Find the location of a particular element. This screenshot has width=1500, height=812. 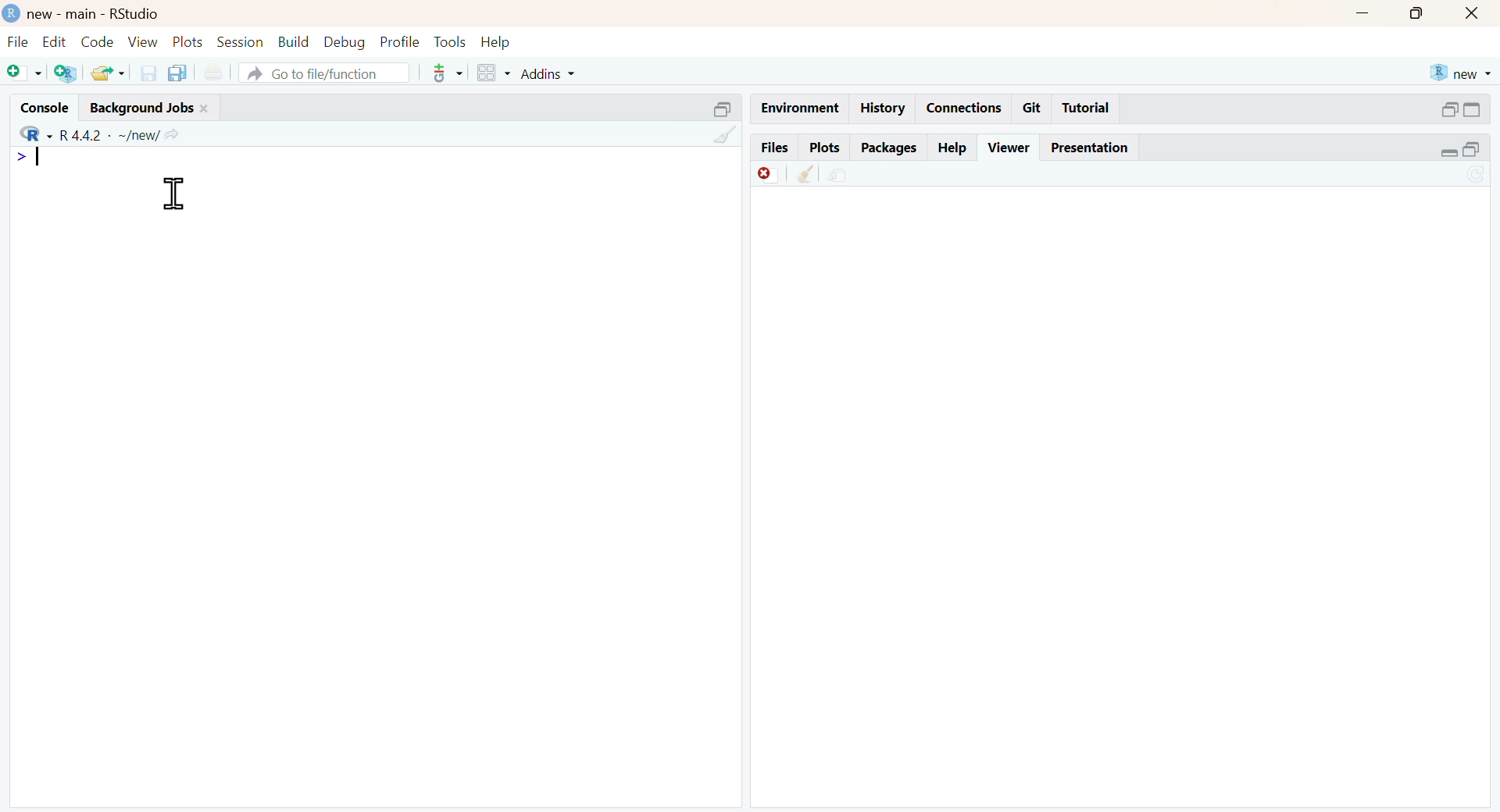

go to file/function is located at coordinates (325, 73).